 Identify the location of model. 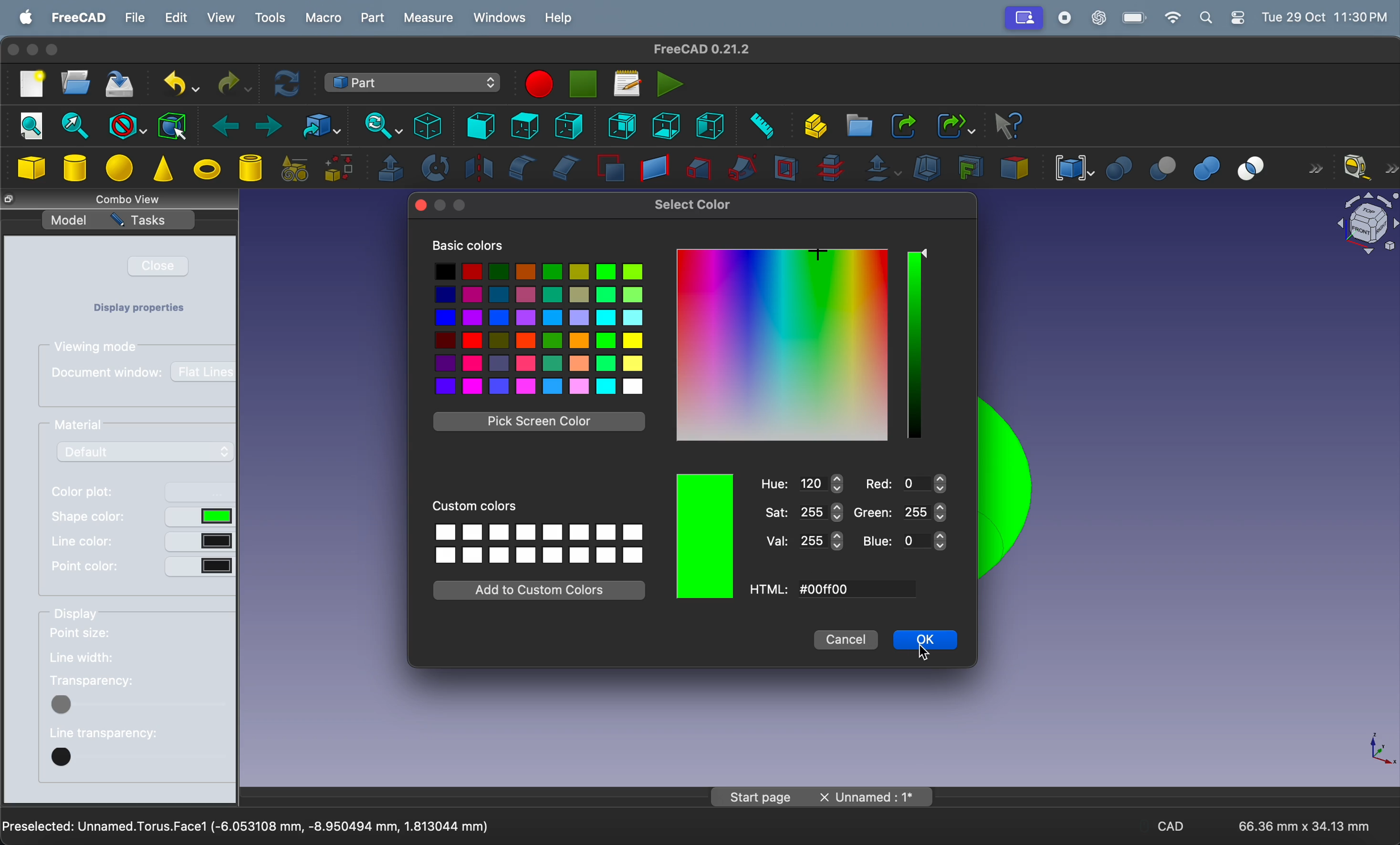
(69, 219).